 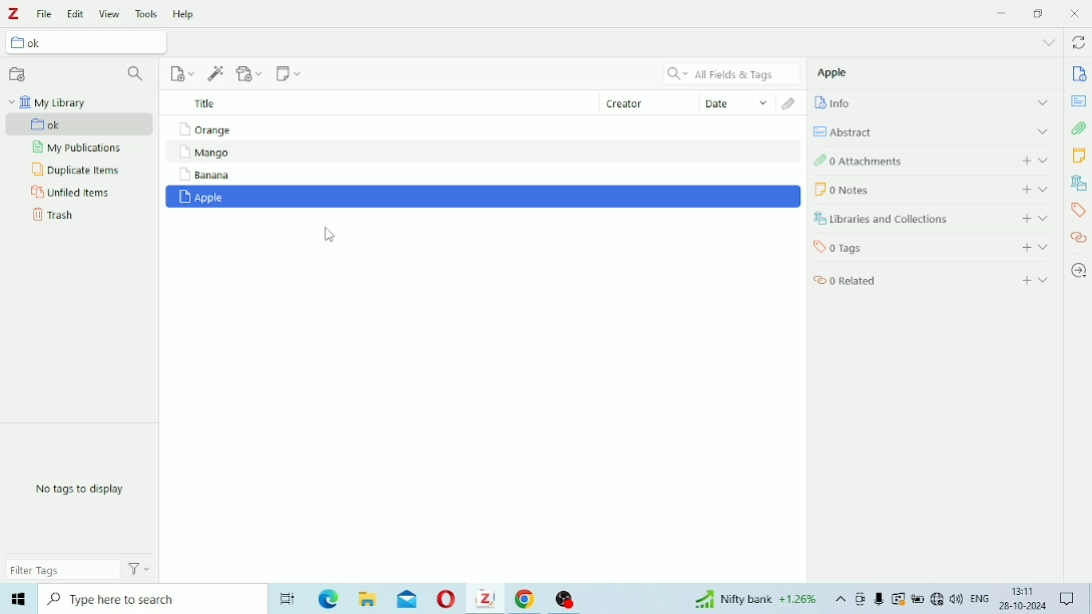 I want to click on Opera browser, so click(x=444, y=601).